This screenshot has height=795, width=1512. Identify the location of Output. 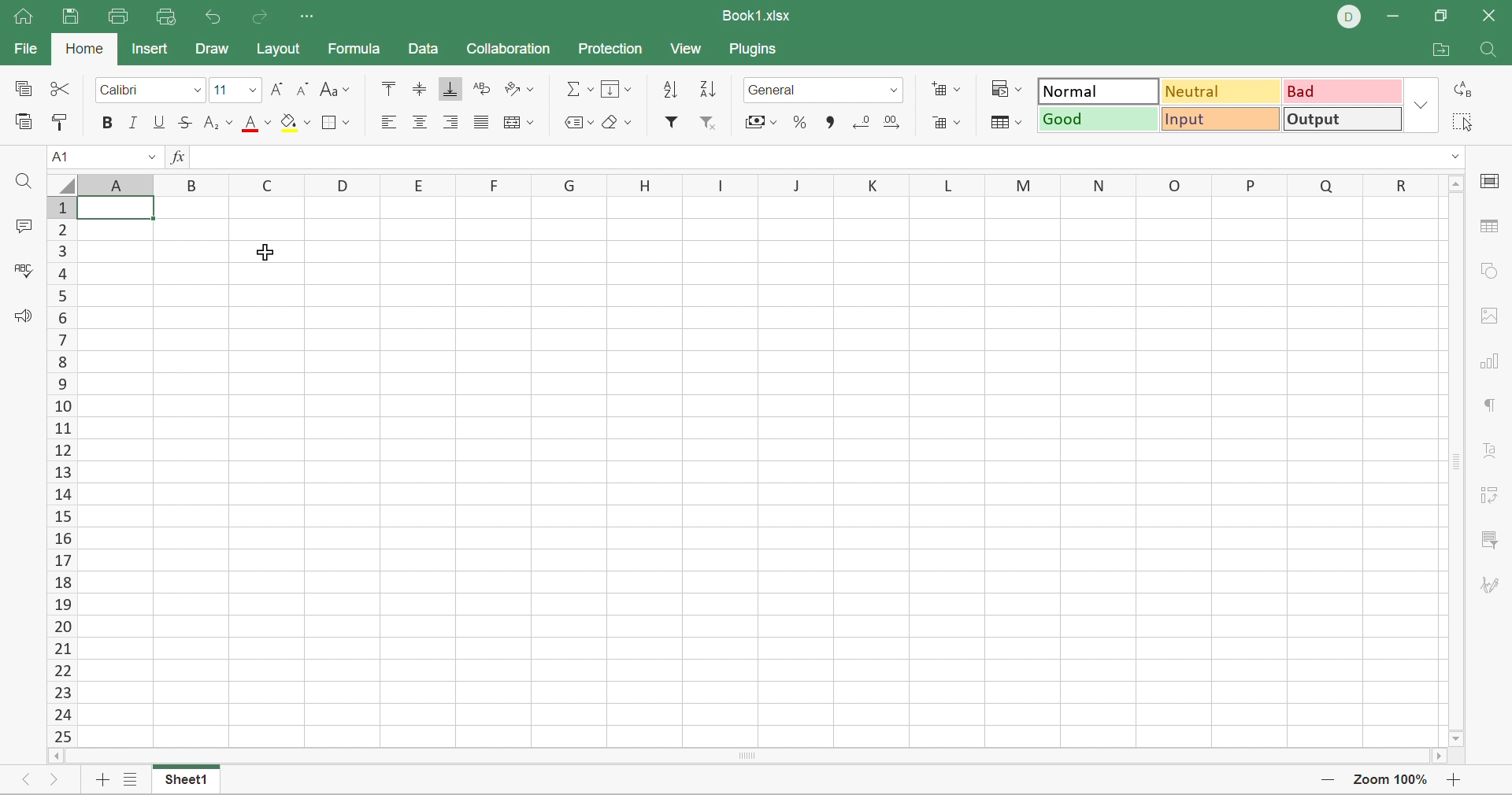
(1343, 118).